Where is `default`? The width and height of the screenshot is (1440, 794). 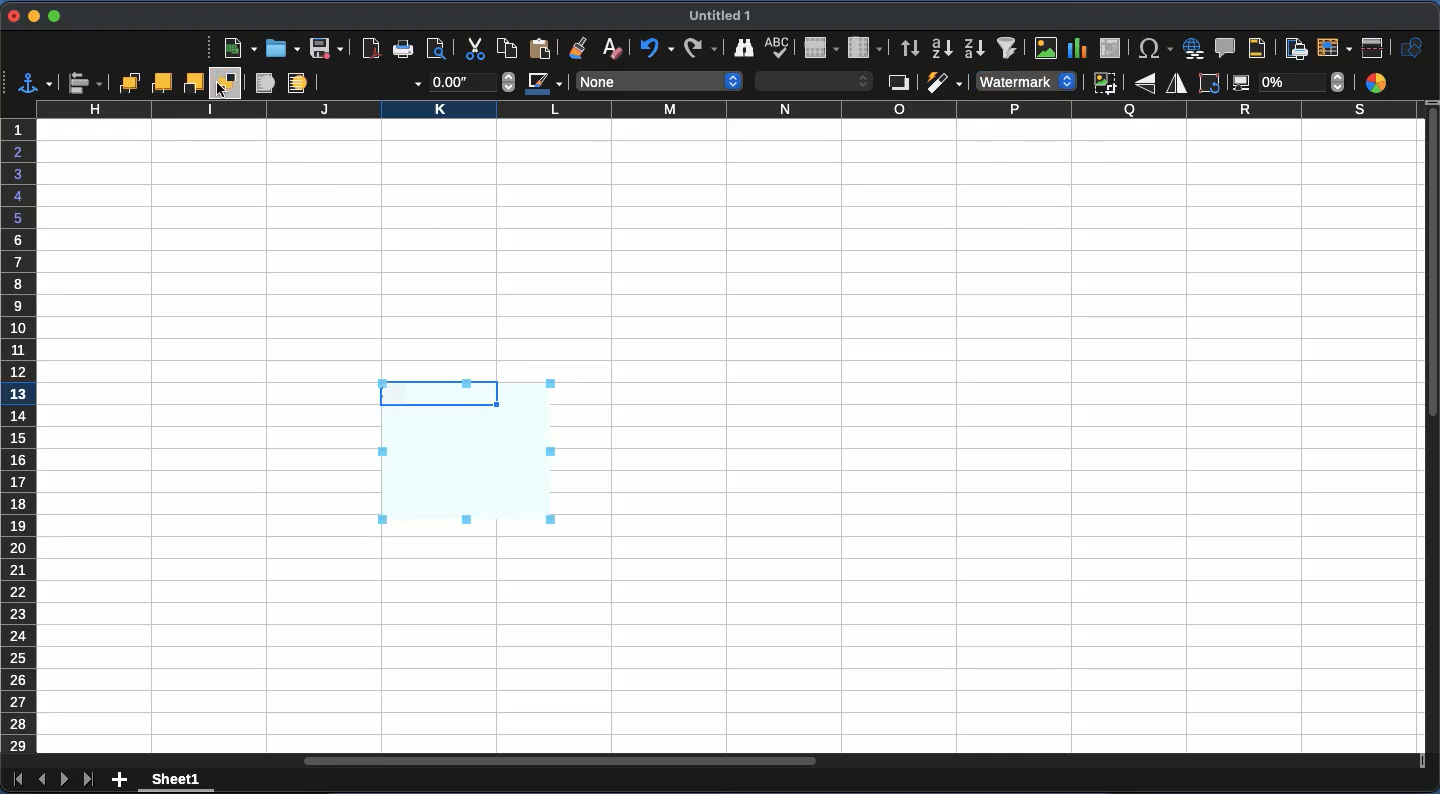
default is located at coordinates (1023, 82).